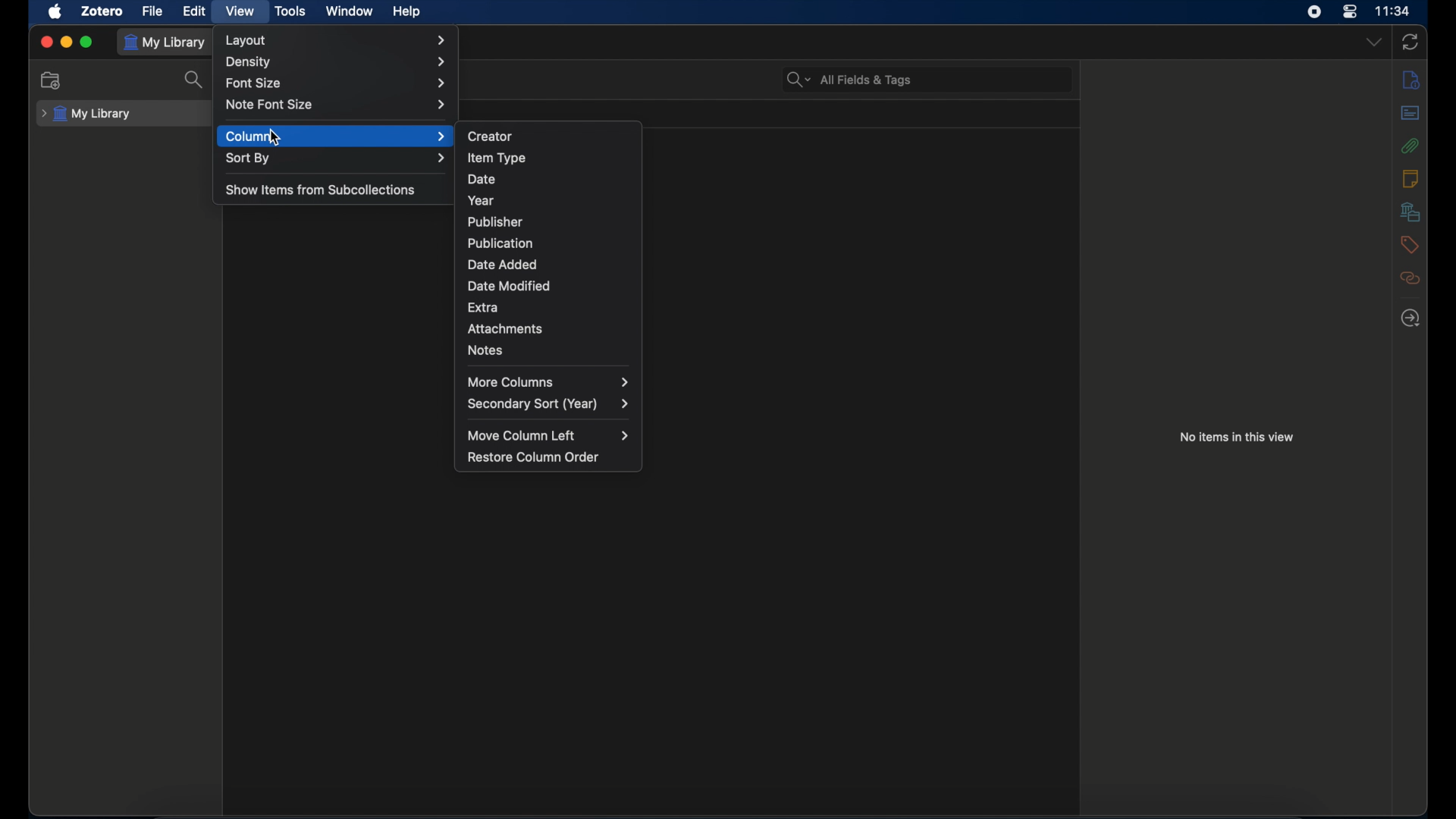 Image resolution: width=1456 pixels, height=819 pixels. Describe the element at coordinates (350, 11) in the screenshot. I see `window` at that location.